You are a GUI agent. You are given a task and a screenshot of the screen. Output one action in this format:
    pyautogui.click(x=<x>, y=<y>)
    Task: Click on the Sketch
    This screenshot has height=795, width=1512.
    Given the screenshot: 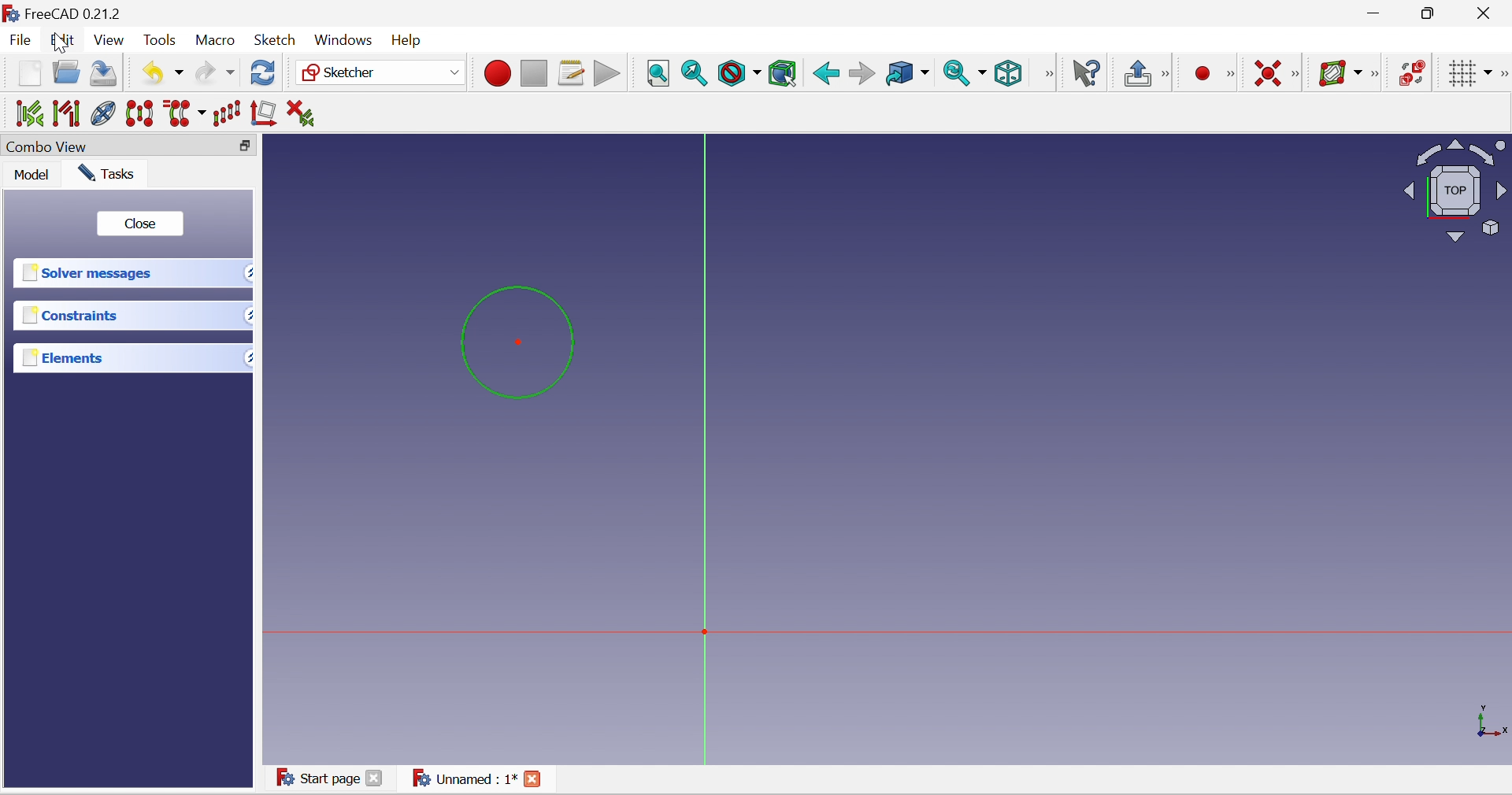 What is the action you would take?
    pyautogui.click(x=275, y=42)
    